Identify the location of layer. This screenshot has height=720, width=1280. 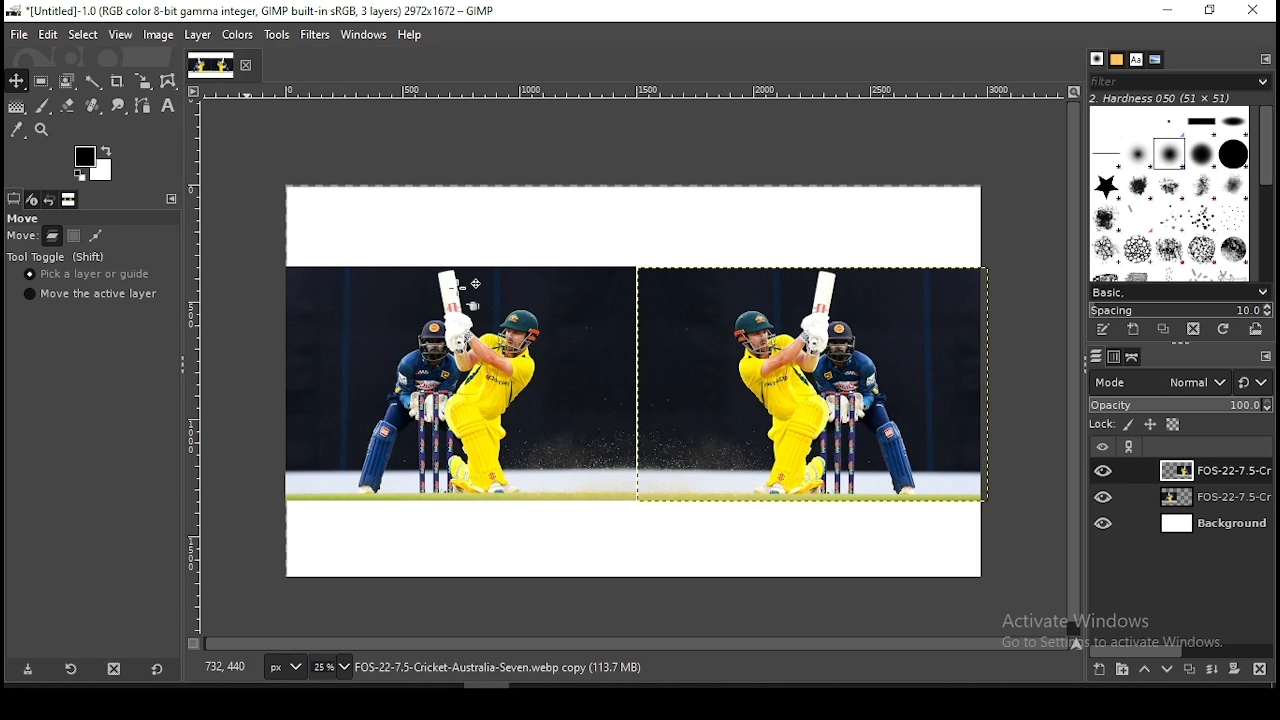
(196, 36).